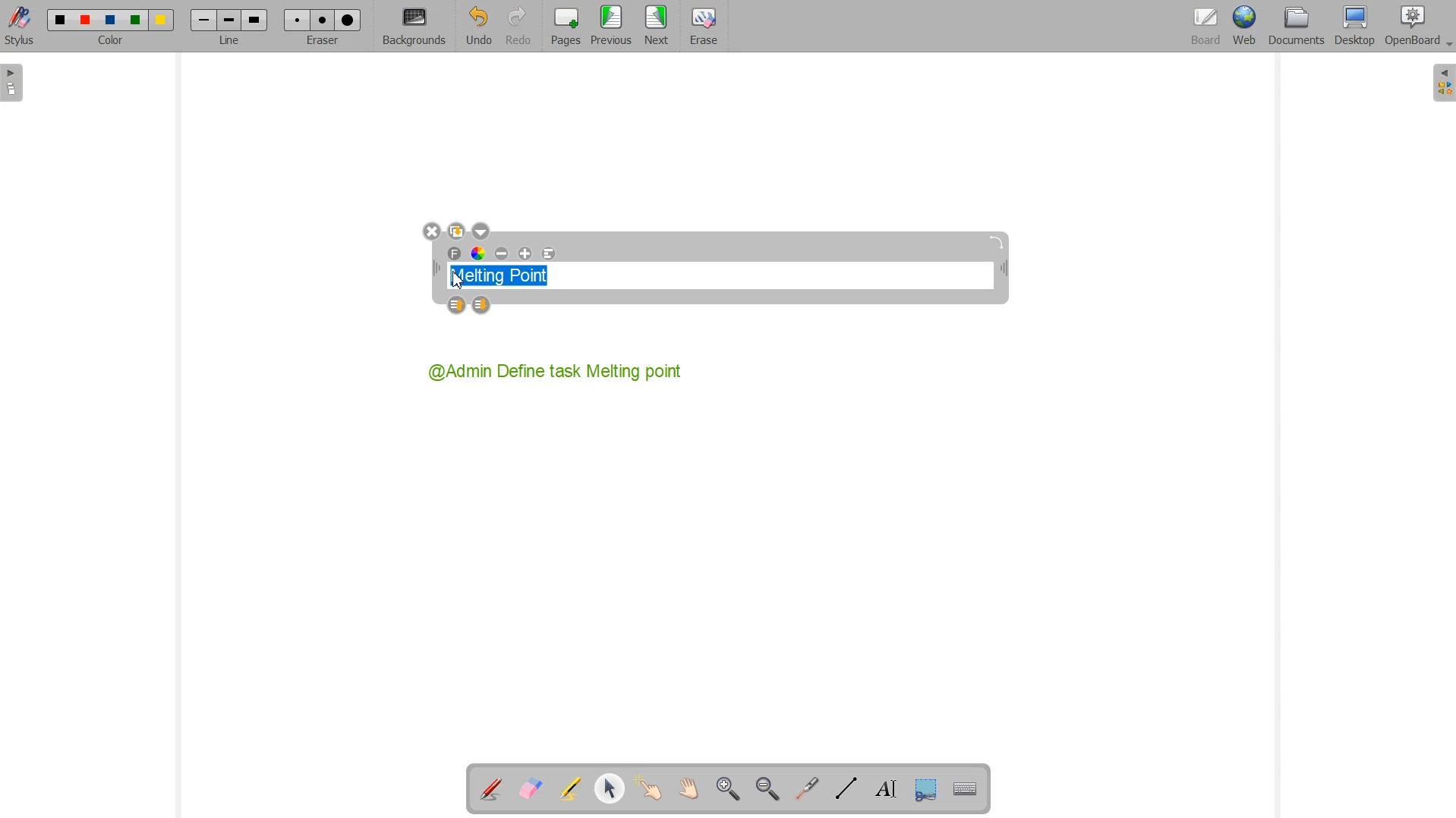  Describe the element at coordinates (1243, 27) in the screenshot. I see `Web` at that location.